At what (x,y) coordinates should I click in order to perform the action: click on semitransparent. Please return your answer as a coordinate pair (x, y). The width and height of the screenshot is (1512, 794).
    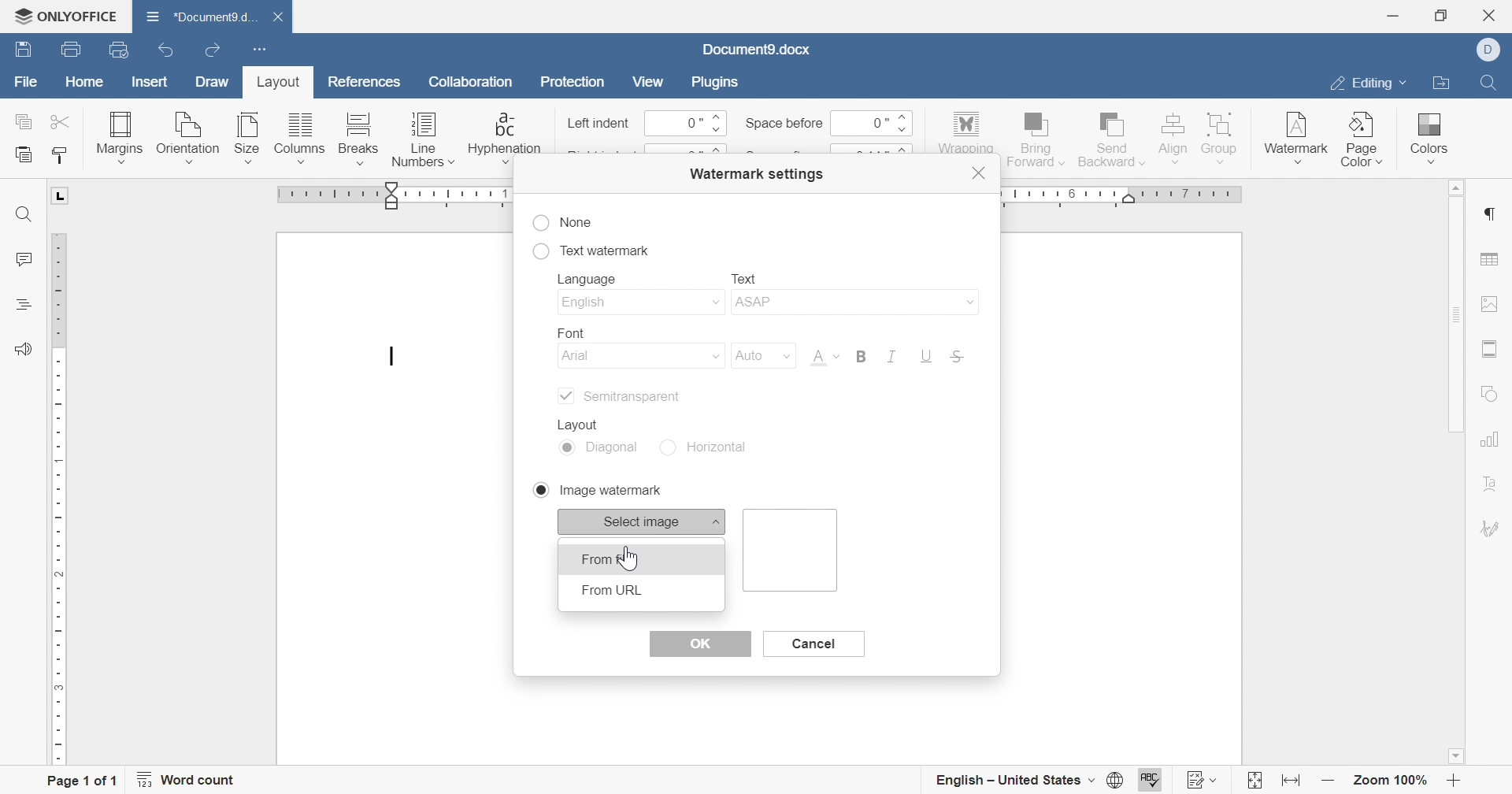
    Looking at the image, I should click on (617, 396).